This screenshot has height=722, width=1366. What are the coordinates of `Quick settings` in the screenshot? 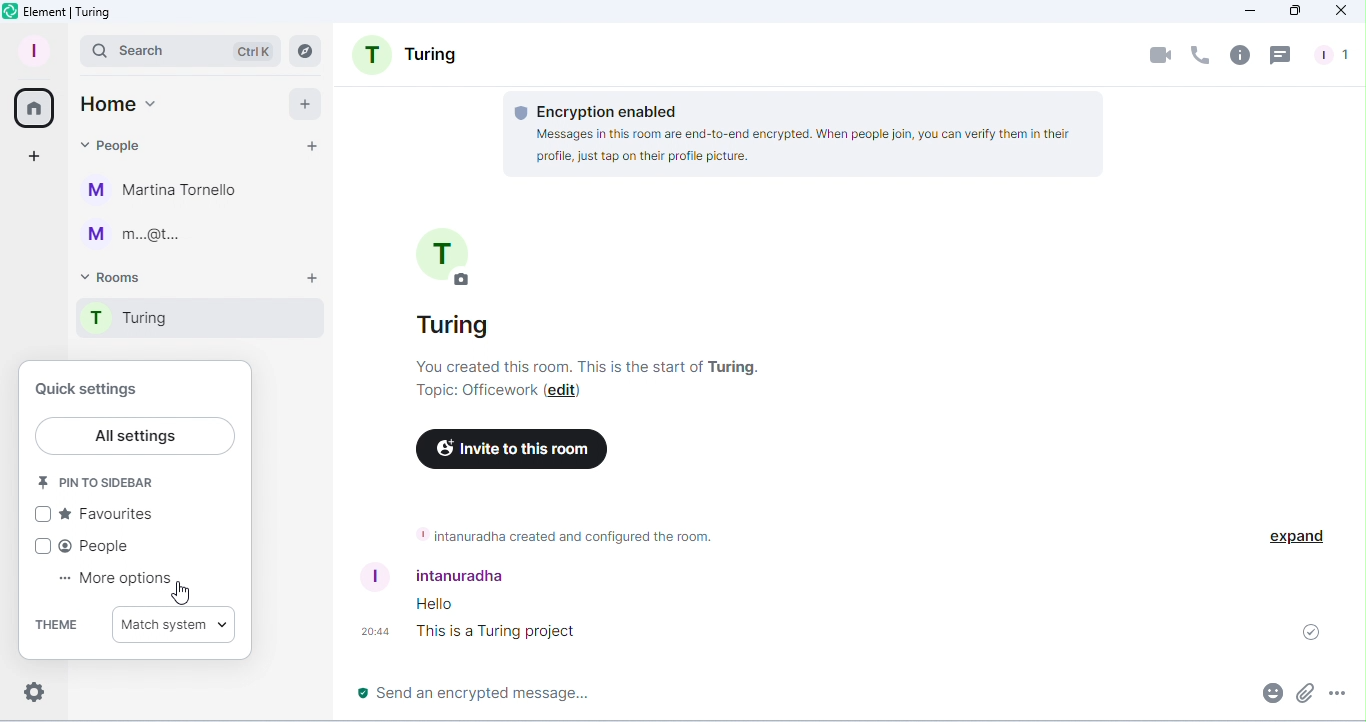 It's located at (100, 389).